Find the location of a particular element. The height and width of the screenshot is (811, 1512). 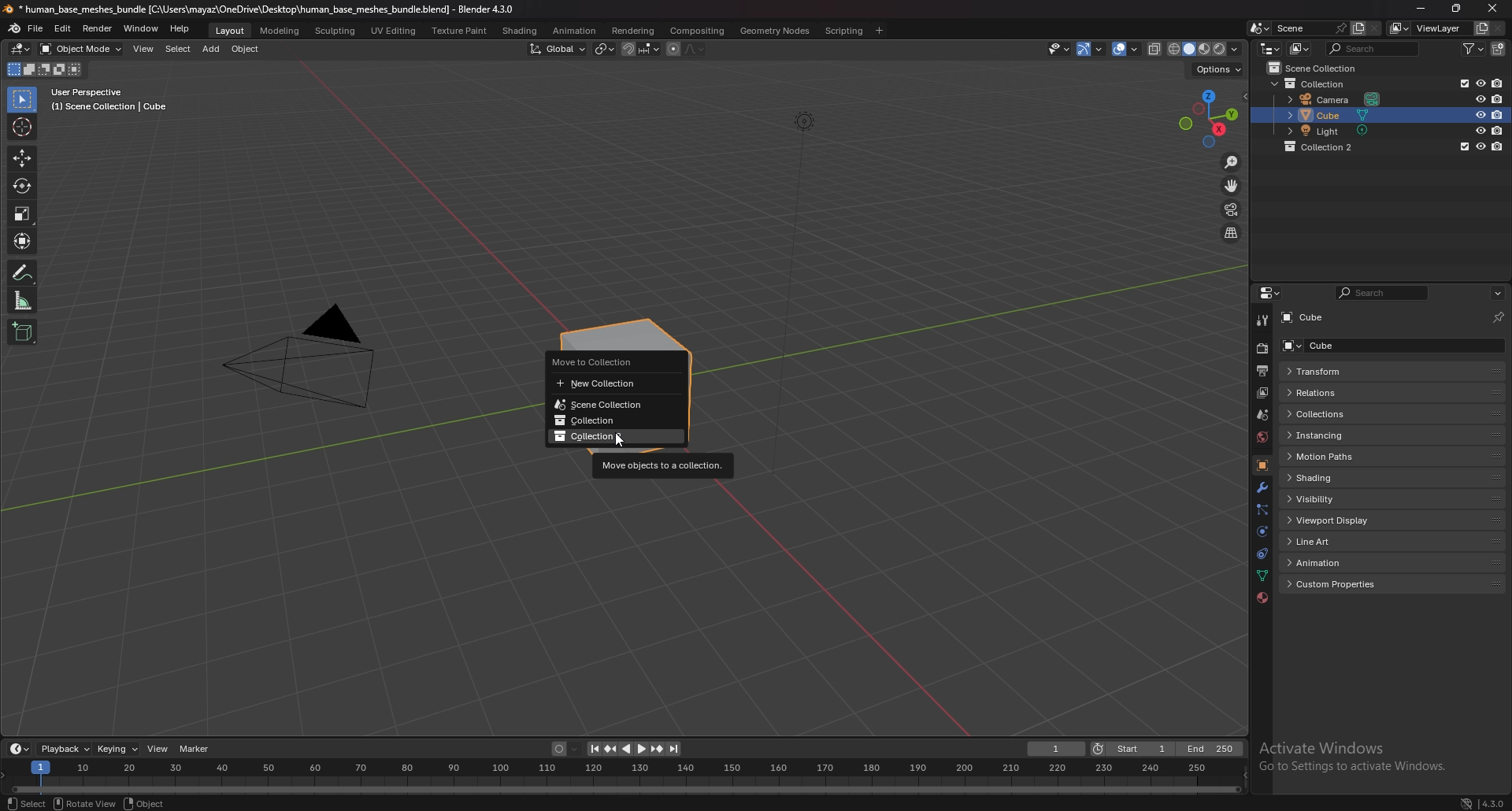

rotate view is located at coordinates (83, 802).